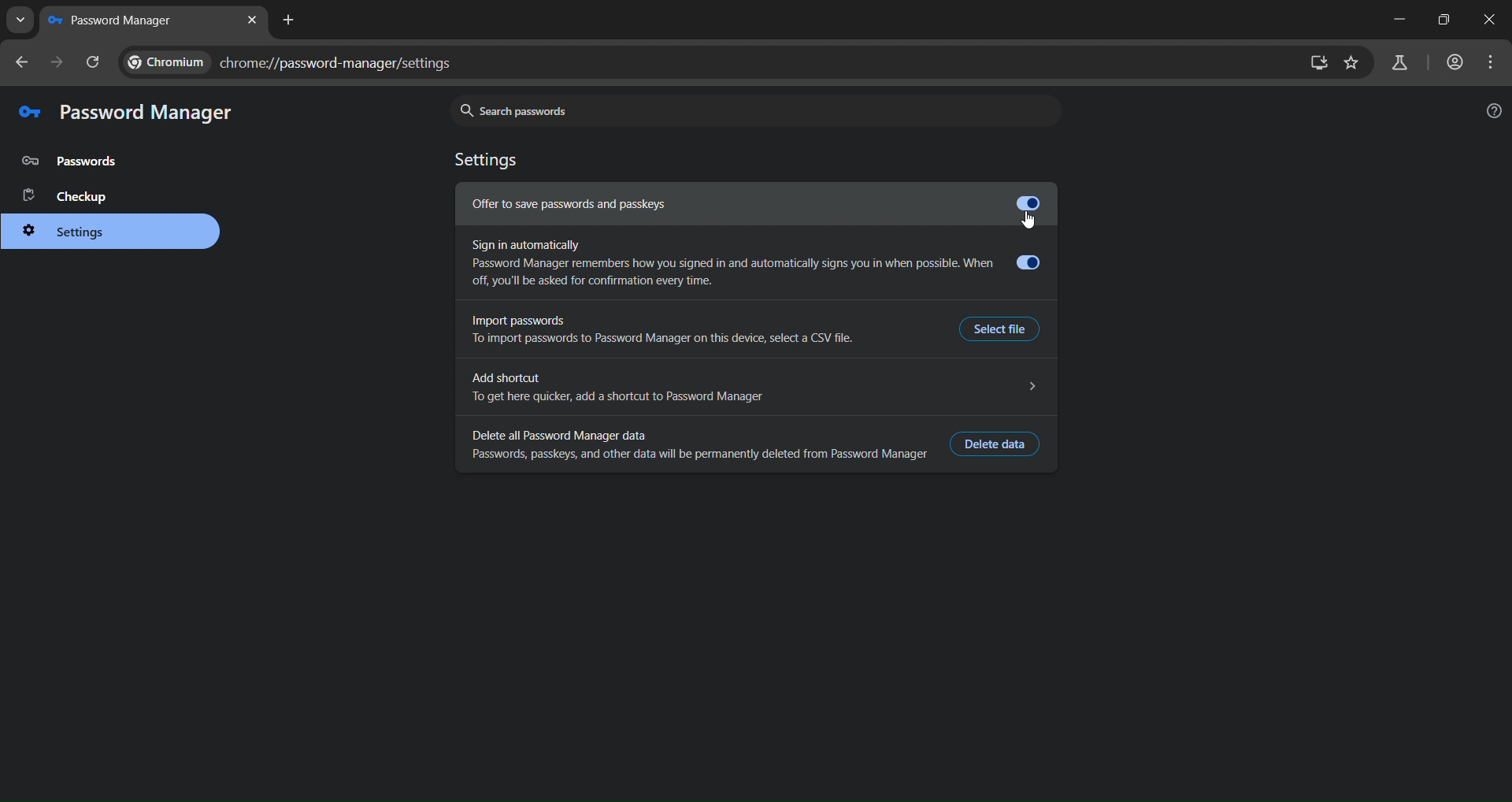 This screenshot has height=802, width=1512. I want to click on delete data, so click(995, 446).